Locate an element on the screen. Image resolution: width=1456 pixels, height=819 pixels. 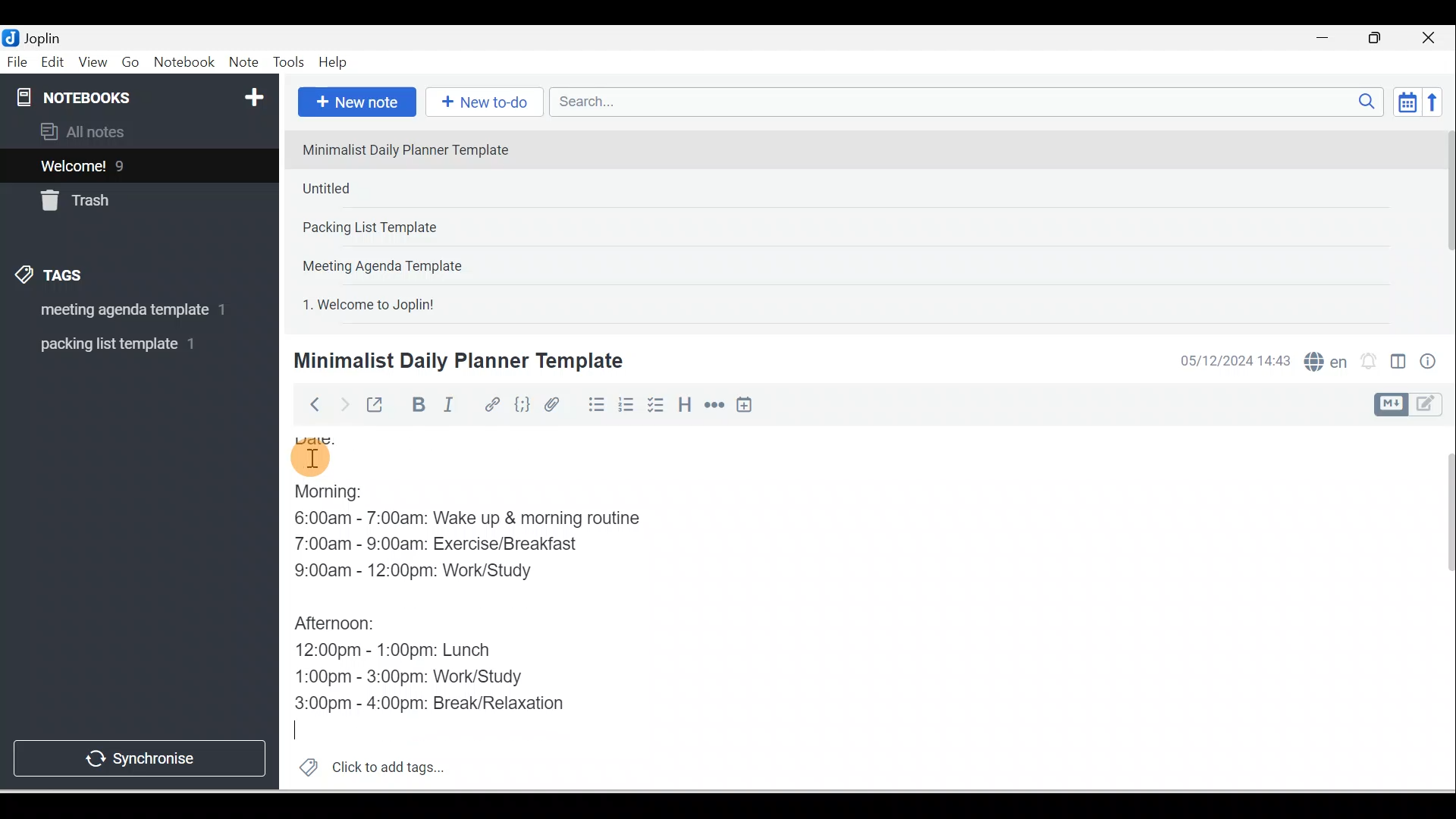
Notebooks is located at coordinates (143, 94).